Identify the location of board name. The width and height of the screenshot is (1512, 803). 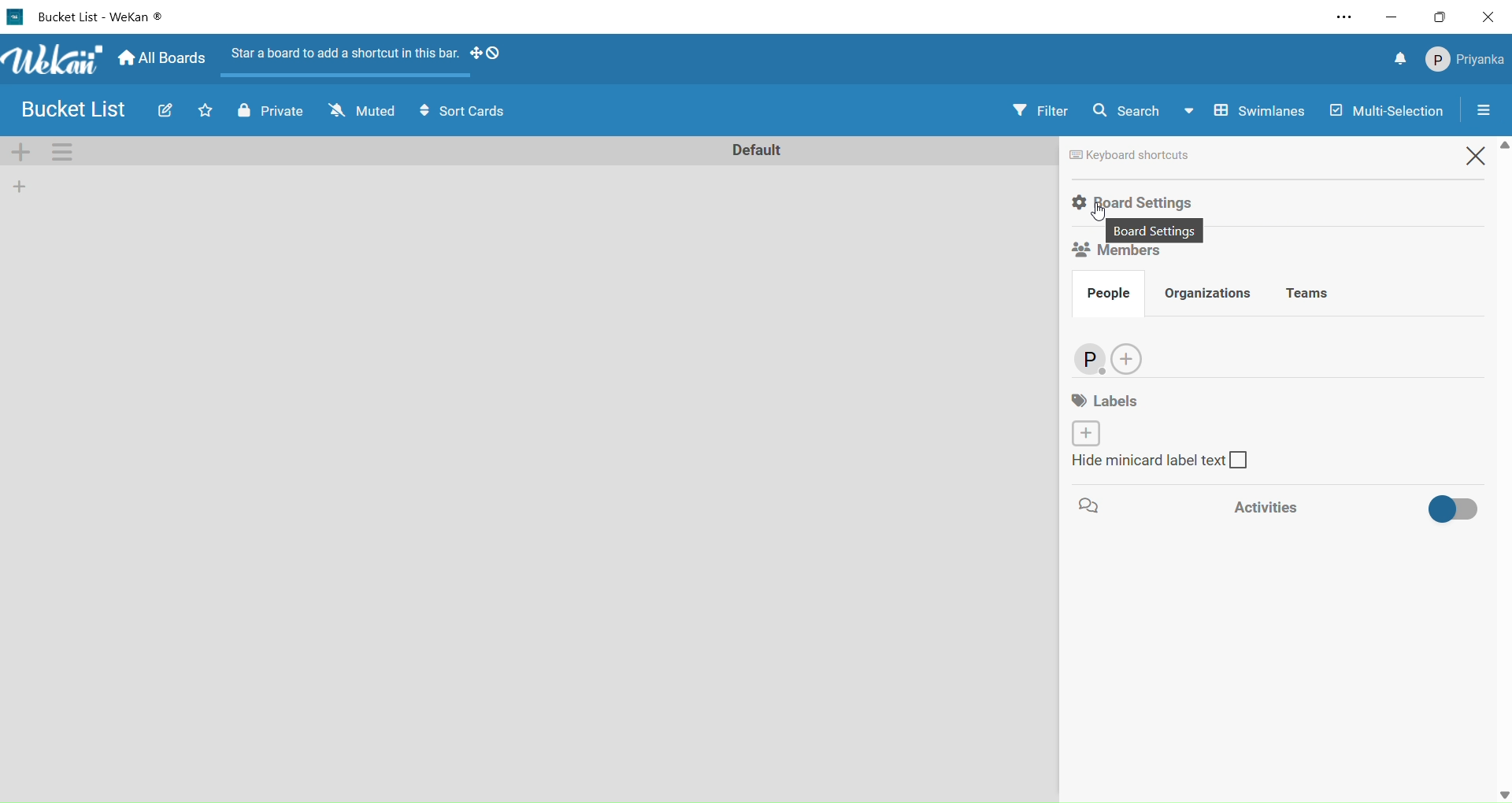
(104, 18).